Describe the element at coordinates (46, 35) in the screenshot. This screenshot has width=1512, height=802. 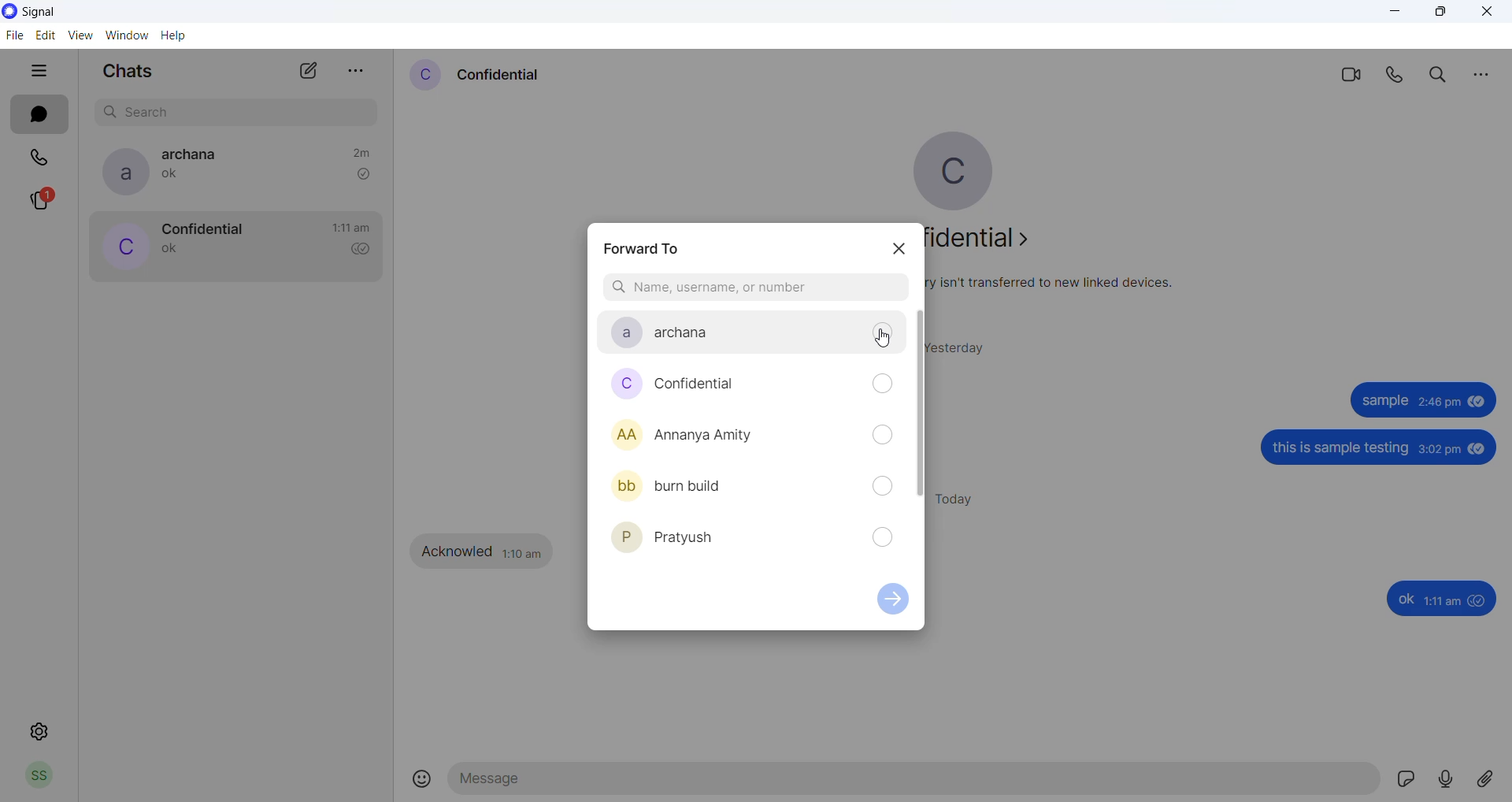
I see `edit` at that location.